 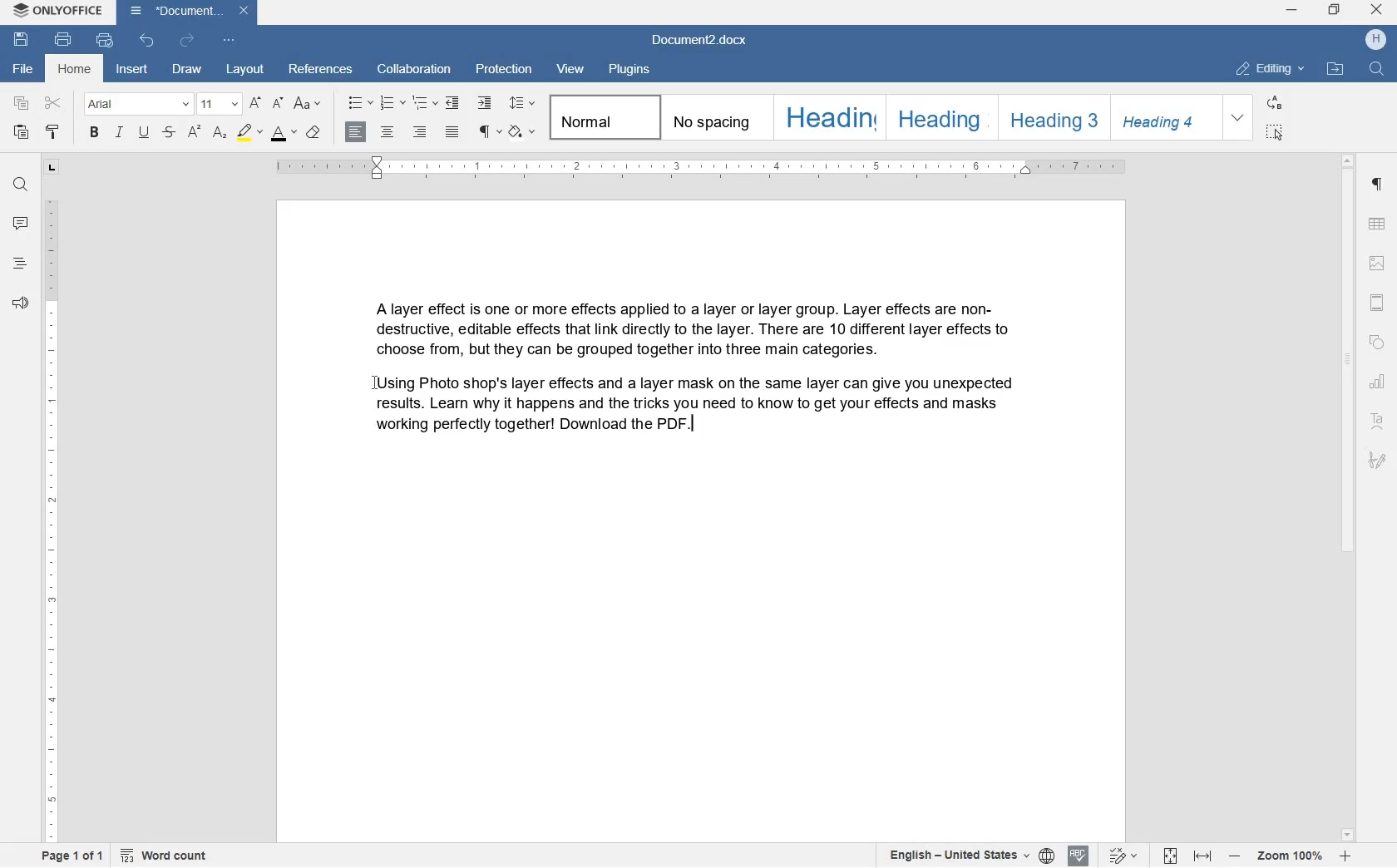 What do you see at coordinates (971, 856) in the screenshot?
I see `SELECT TEXT OR DOCUMENT LANGUAGE` at bounding box center [971, 856].